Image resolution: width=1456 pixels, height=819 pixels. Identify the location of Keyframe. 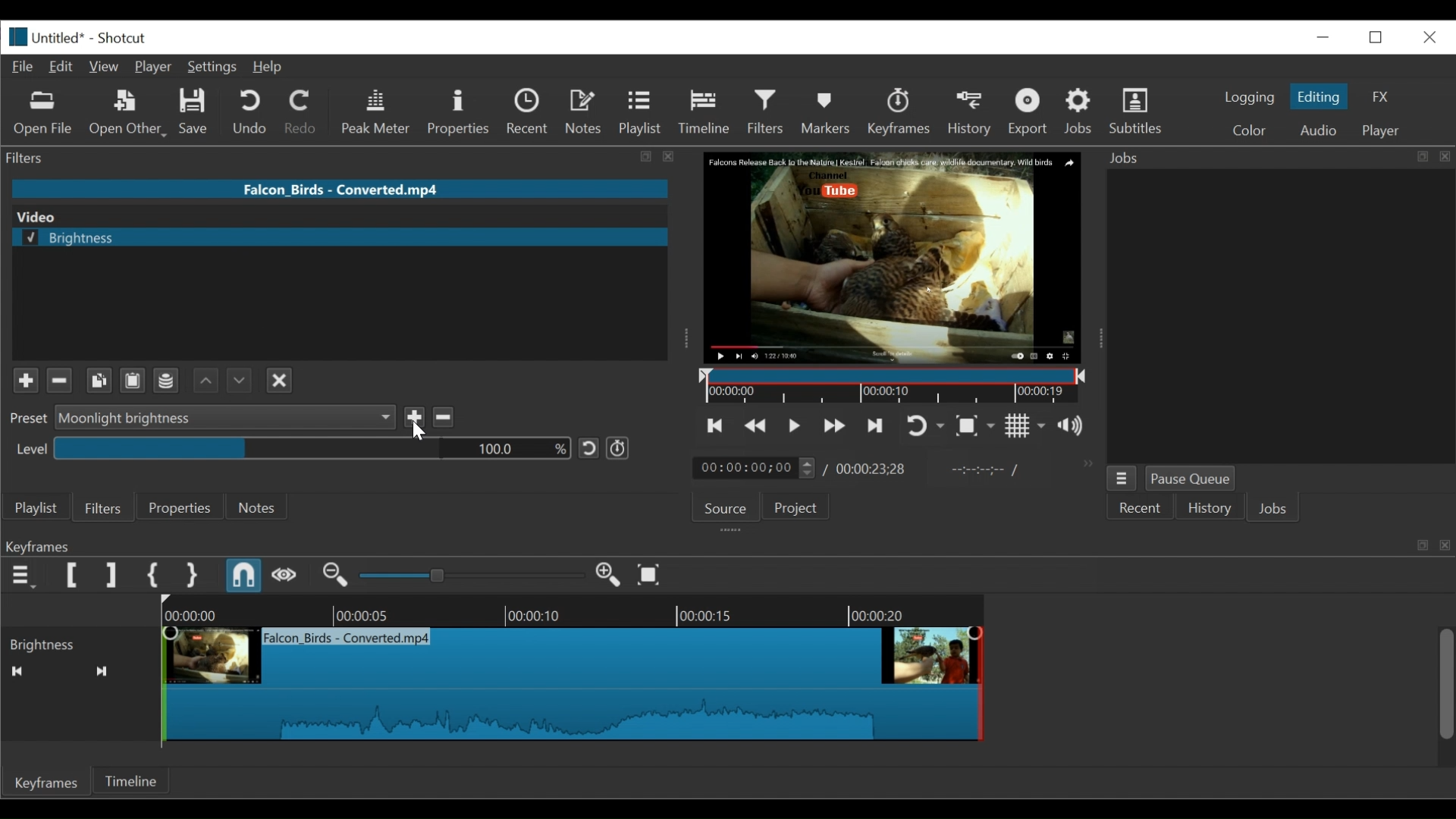
(795, 681).